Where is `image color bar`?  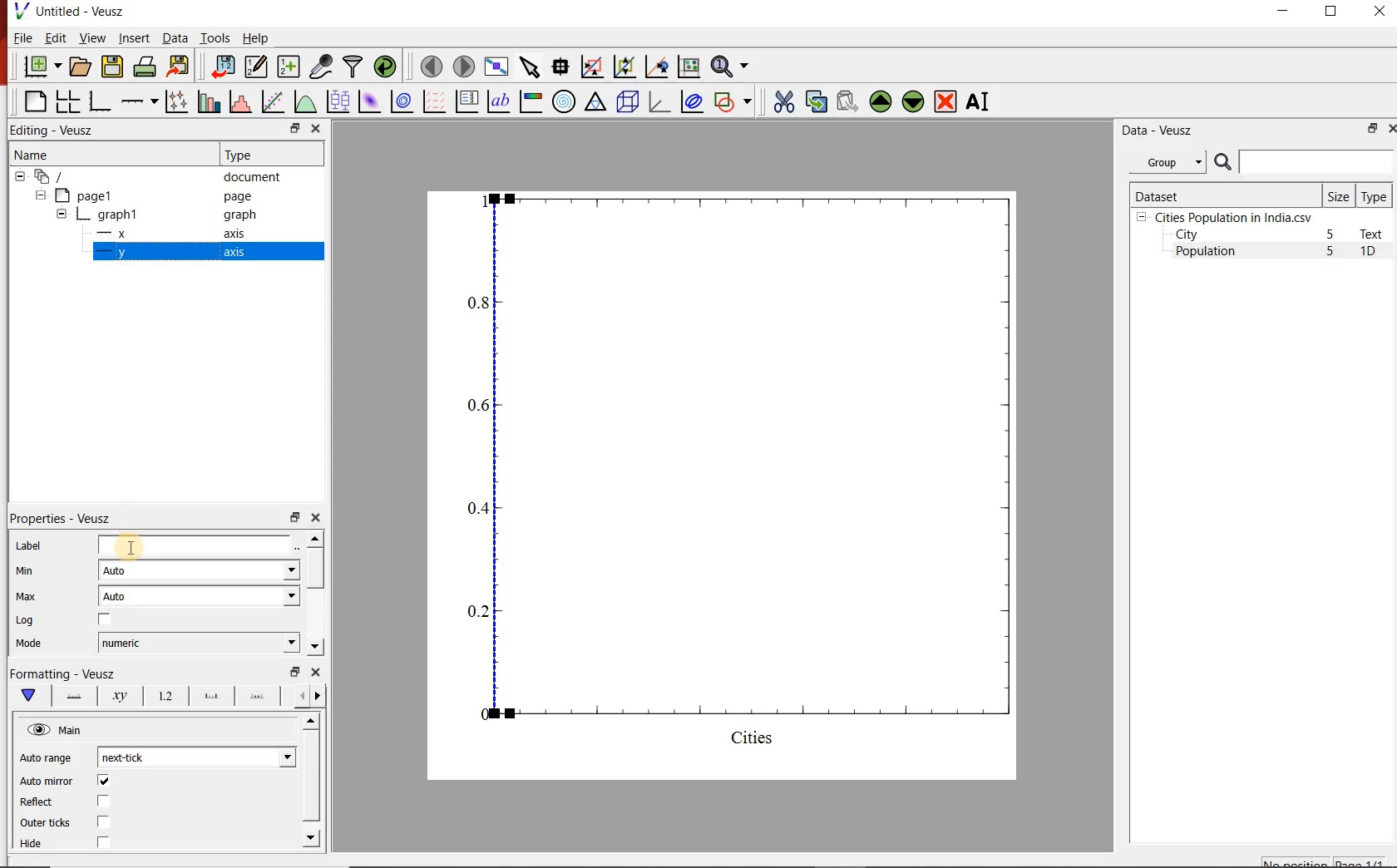
image color bar is located at coordinates (531, 101).